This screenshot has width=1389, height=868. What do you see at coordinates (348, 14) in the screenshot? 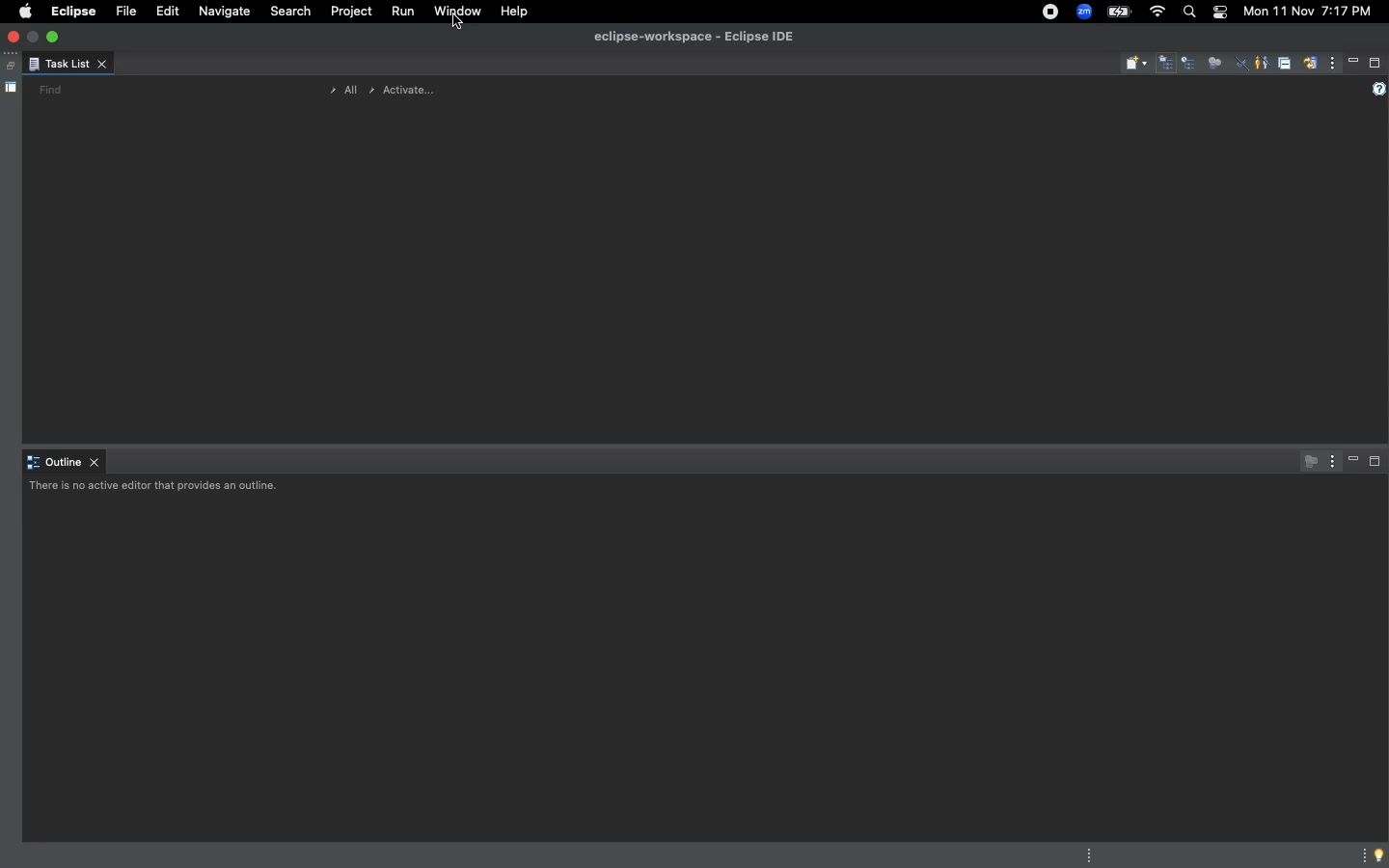
I see `Project` at bounding box center [348, 14].